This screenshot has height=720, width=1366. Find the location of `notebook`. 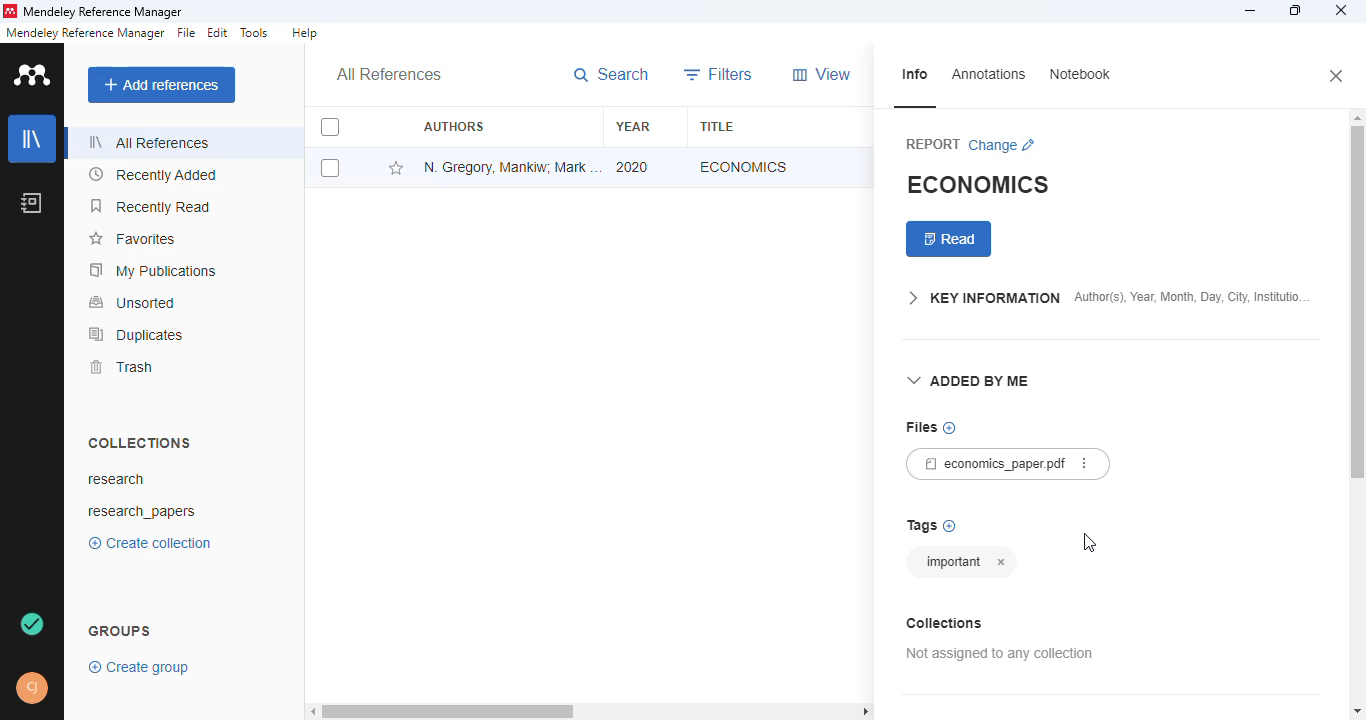

notebook is located at coordinates (1081, 74).